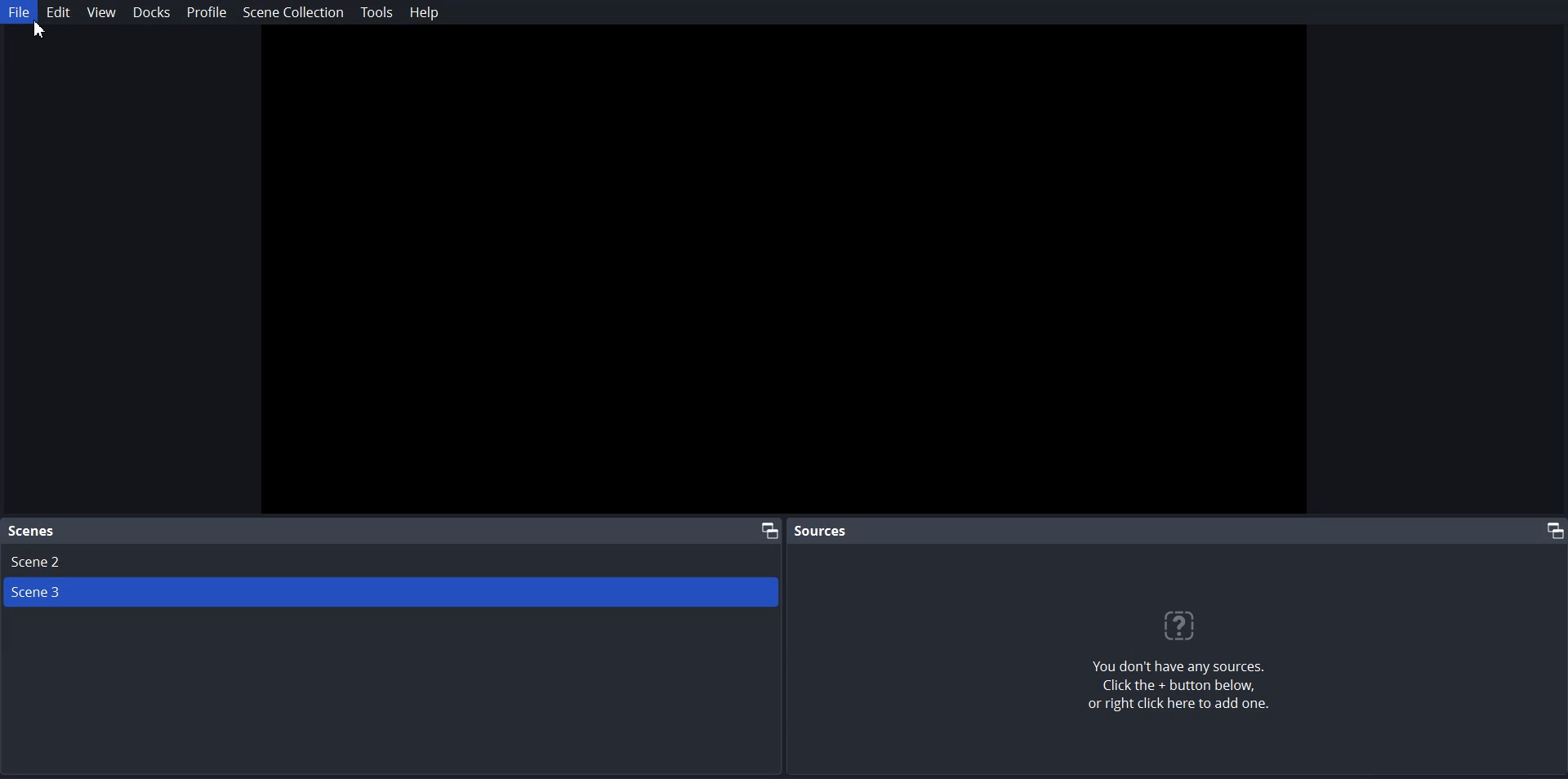 This screenshot has height=779, width=1568. Describe the element at coordinates (376, 12) in the screenshot. I see `Tools` at that location.